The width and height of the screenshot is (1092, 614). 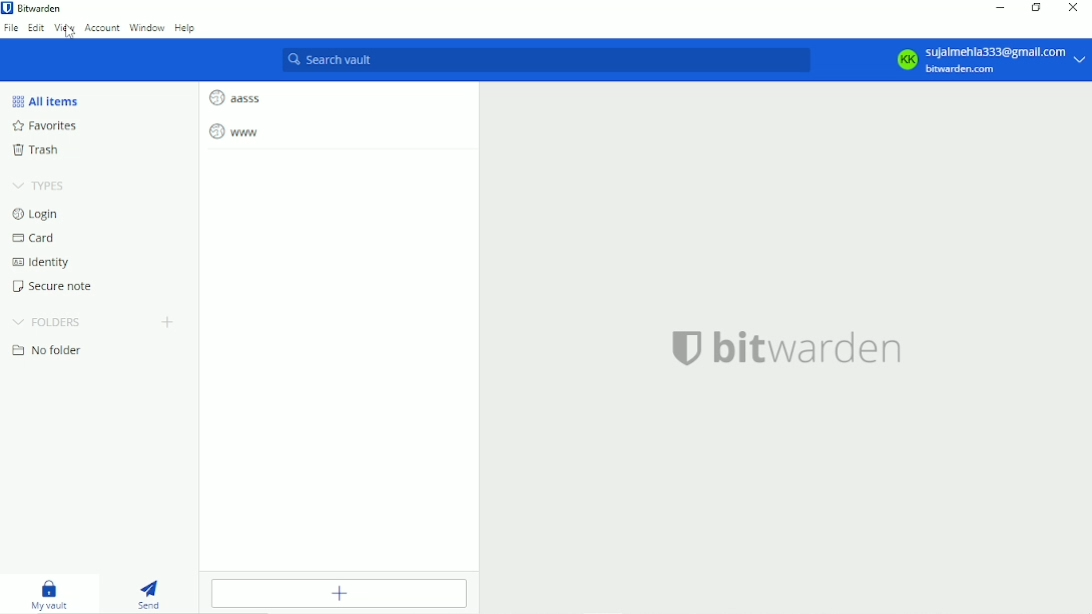 What do you see at coordinates (11, 28) in the screenshot?
I see `File` at bounding box center [11, 28].